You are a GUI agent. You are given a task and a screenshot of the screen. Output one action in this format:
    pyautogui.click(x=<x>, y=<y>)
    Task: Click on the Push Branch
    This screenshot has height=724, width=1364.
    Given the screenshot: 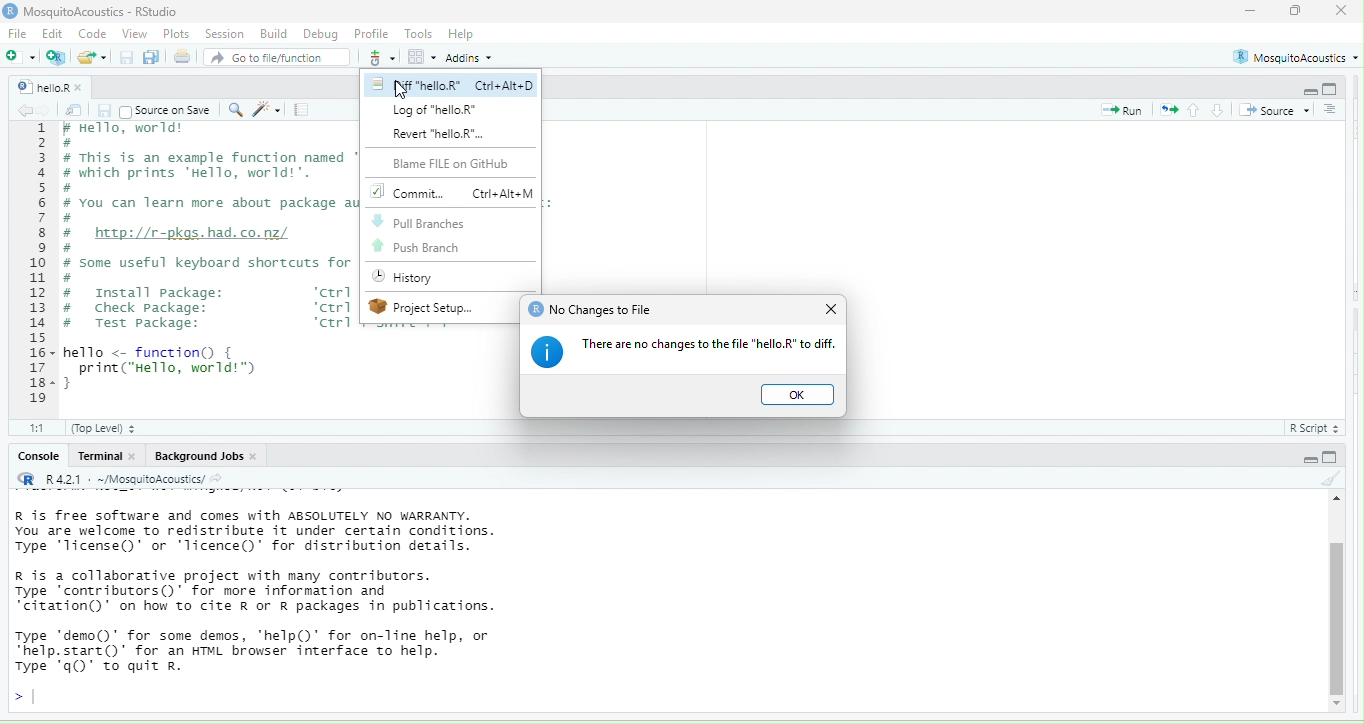 What is the action you would take?
    pyautogui.click(x=420, y=248)
    